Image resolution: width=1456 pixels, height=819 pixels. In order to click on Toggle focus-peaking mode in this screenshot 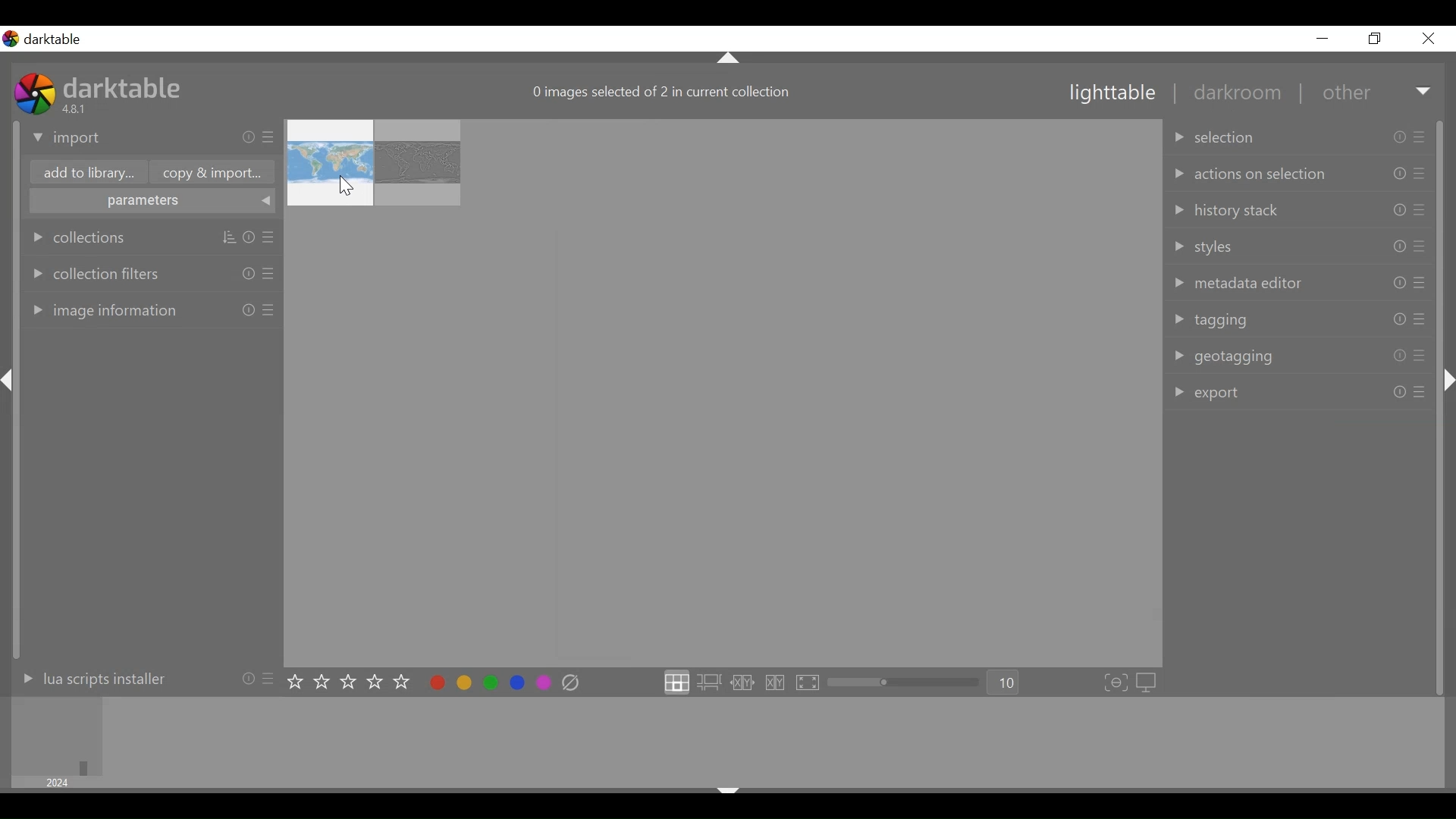, I will do `click(1116, 684)`.